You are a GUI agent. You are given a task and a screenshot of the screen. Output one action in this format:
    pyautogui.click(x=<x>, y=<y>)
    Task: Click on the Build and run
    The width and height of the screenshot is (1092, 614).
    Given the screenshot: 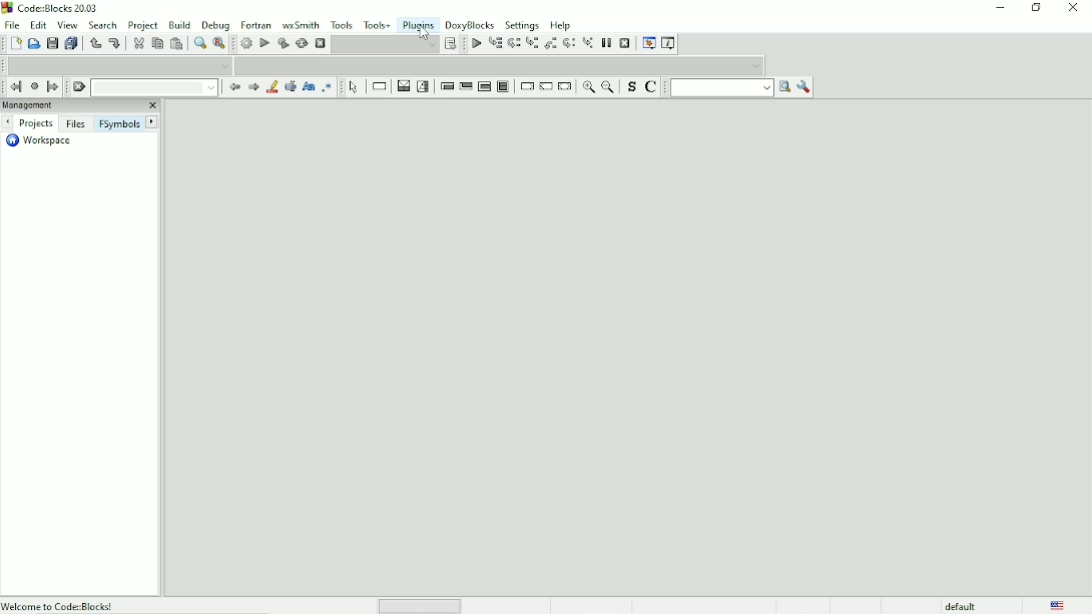 What is the action you would take?
    pyautogui.click(x=283, y=43)
    